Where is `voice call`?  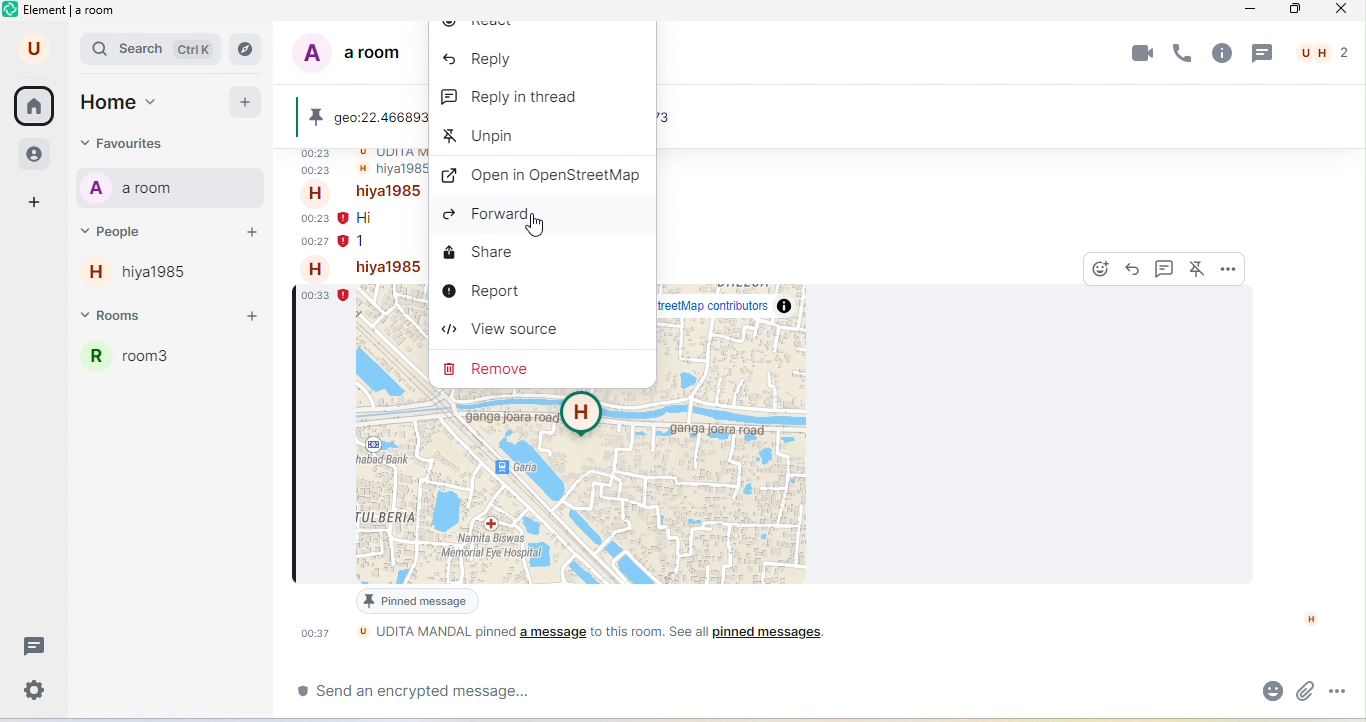
voice call is located at coordinates (1185, 56).